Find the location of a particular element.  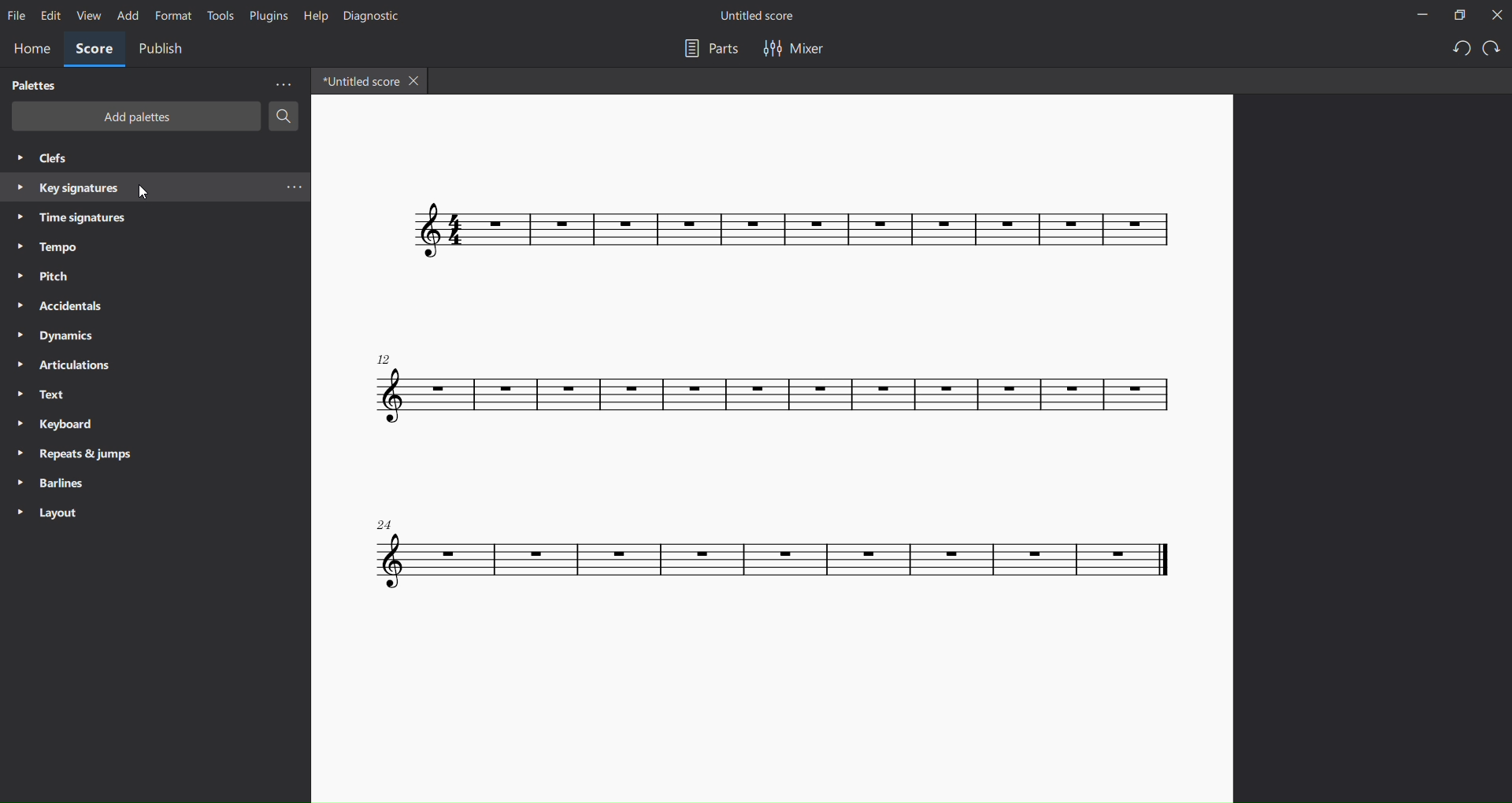

palettes is located at coordinates (31, 85).